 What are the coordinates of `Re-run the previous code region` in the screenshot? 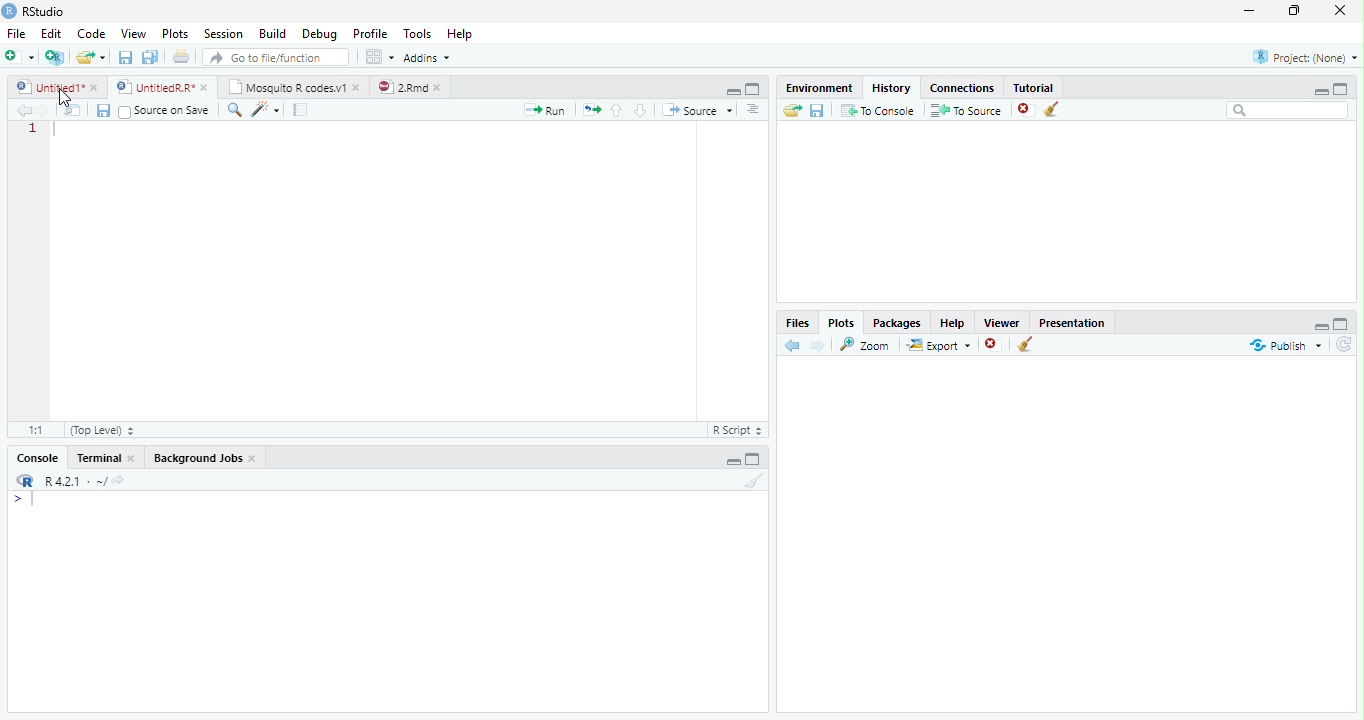 It's located at (590, 110).